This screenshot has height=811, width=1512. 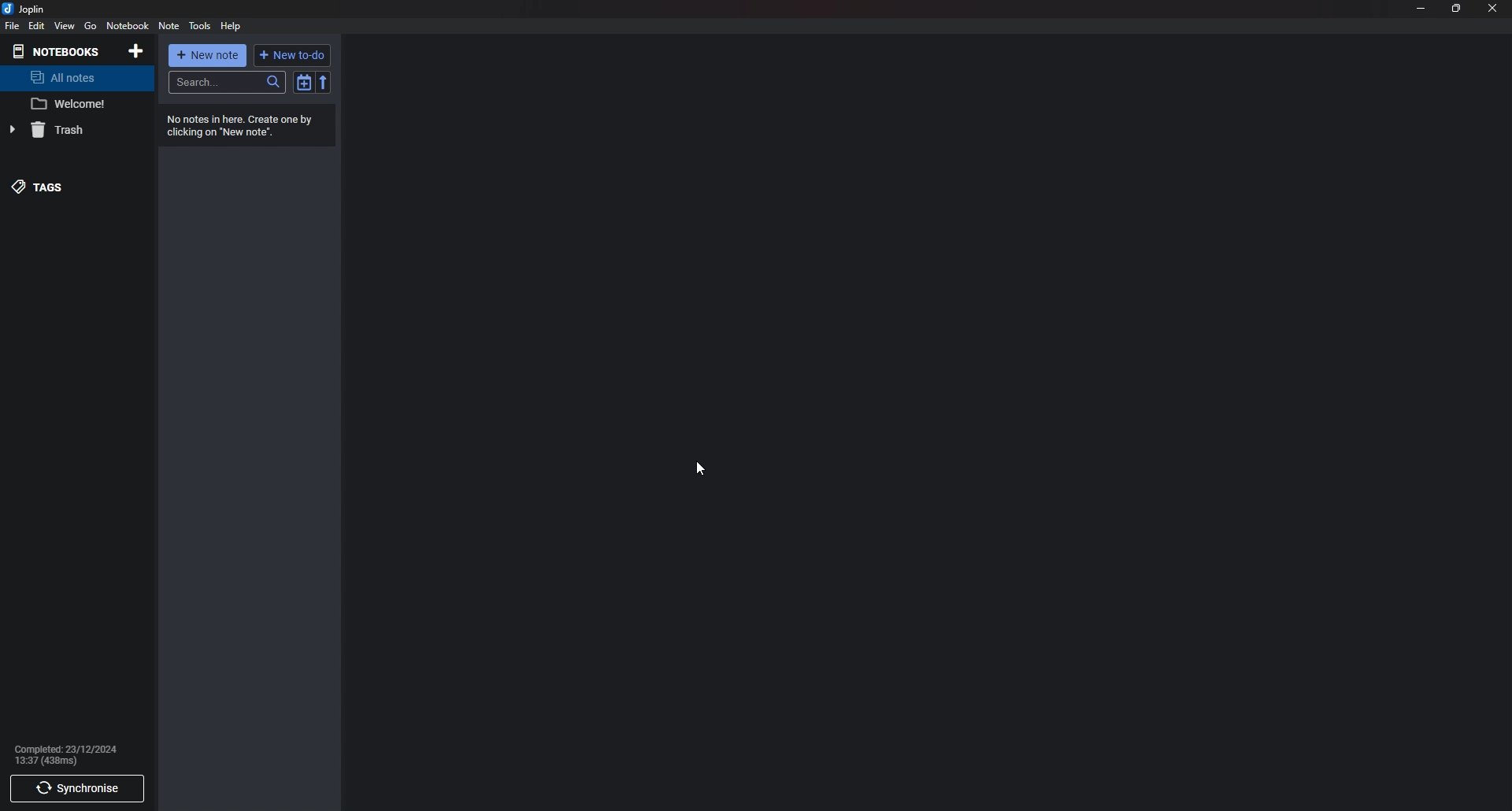 What do you see at coordinates (72, 129) in the screenshot?
I see `trash` at bounding box center [72, 129].